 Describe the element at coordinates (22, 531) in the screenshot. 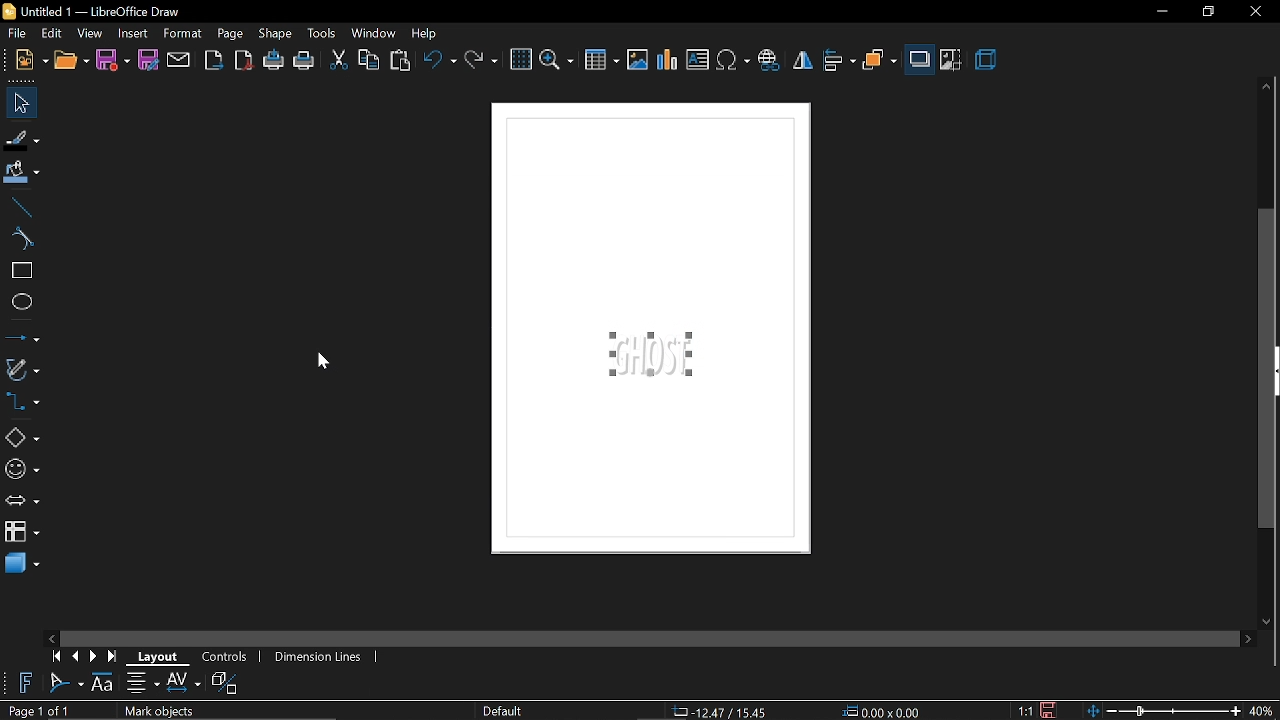

I see `flowchart` at that location.